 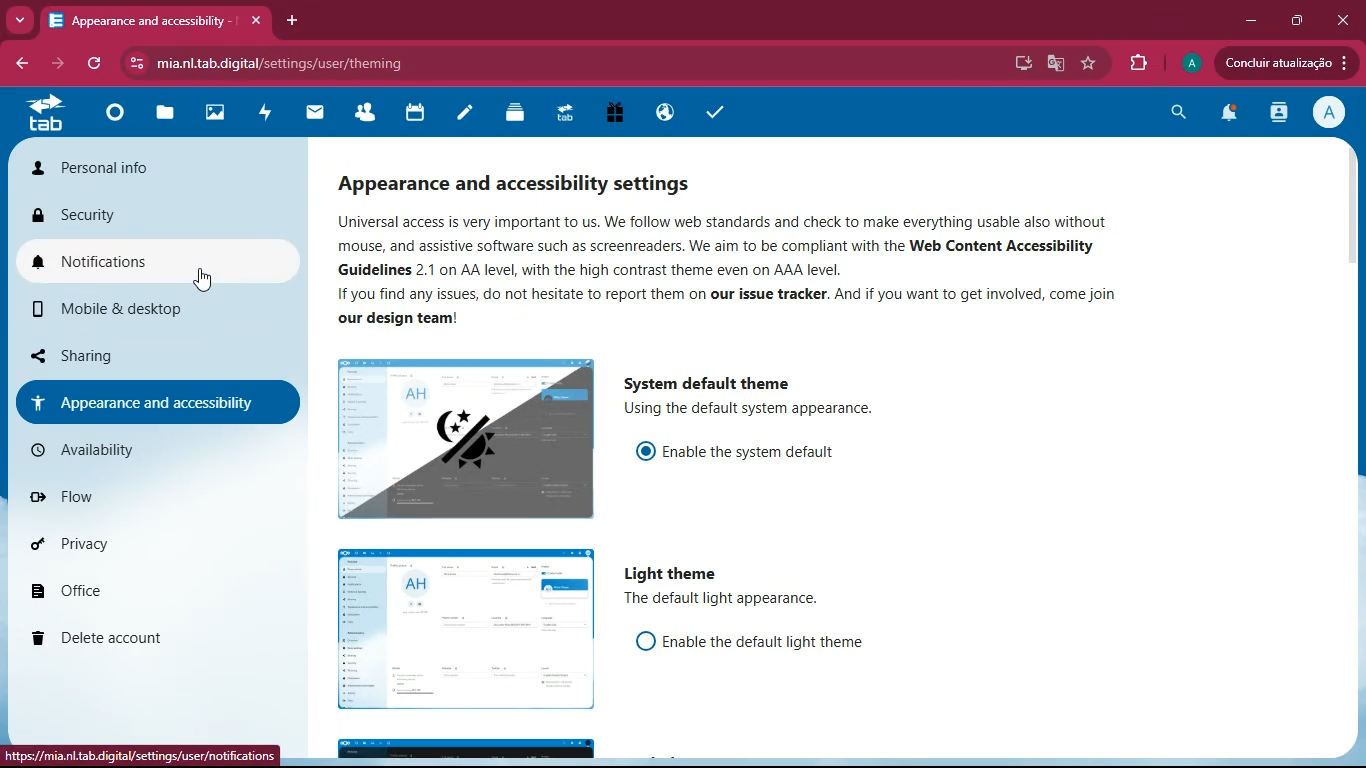 I want to click on search, so click(x=1175, y=112).